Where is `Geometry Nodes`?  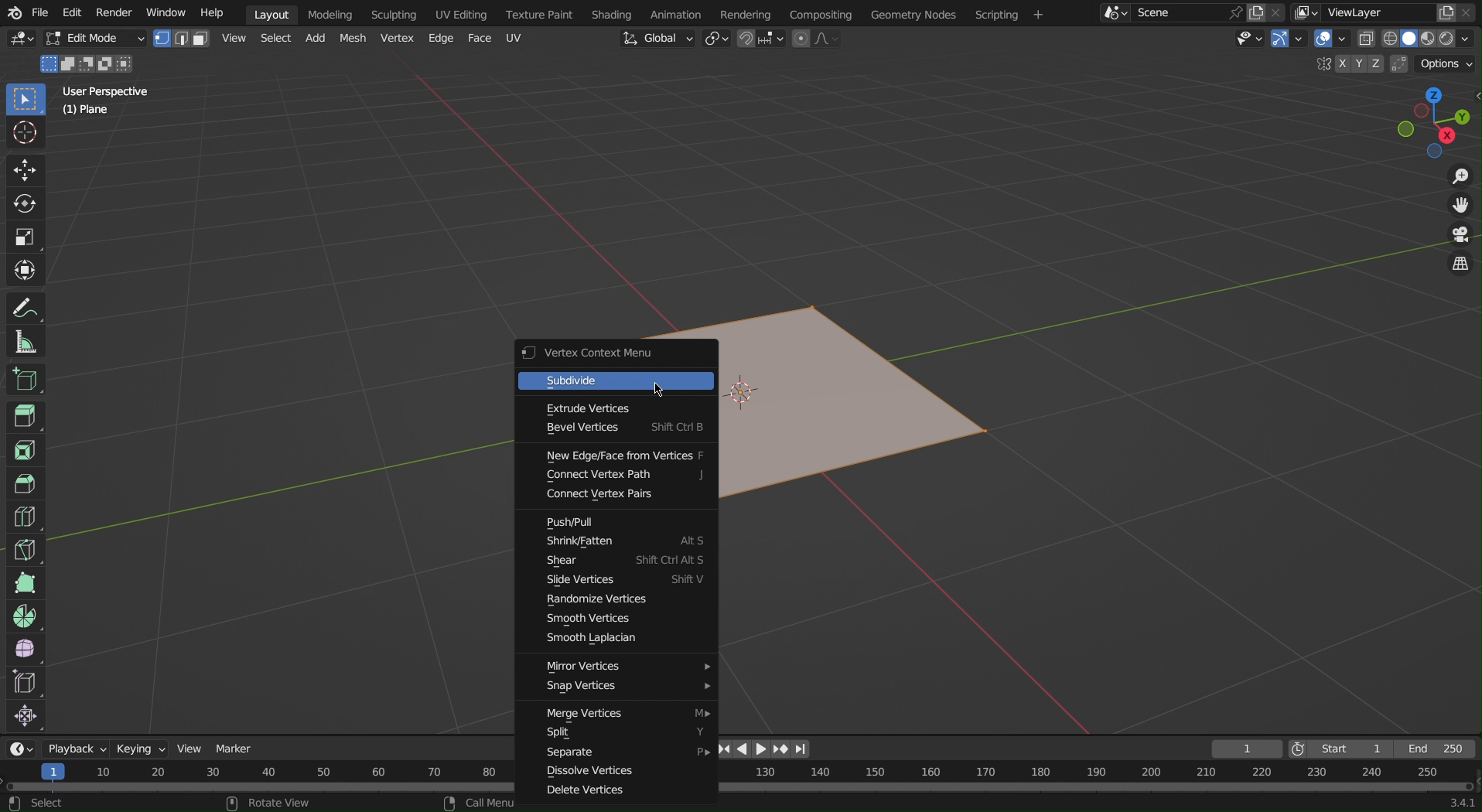
Geometry Nodes is located at coordinates (912, 13).